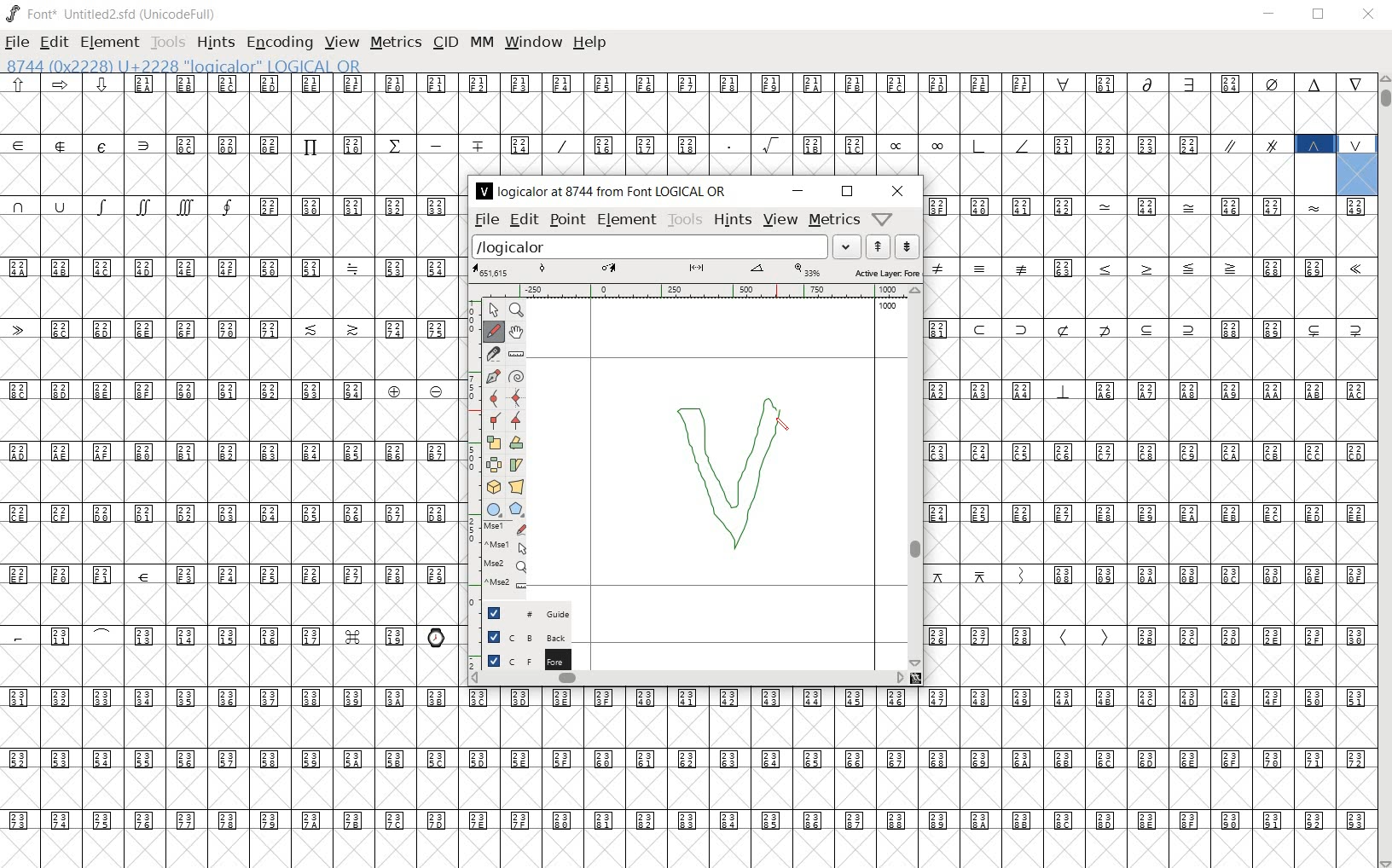 This screenshot has width=1392, height=868. I want to click on add a curve point always either horizontal or vertical, so click(491, 397).